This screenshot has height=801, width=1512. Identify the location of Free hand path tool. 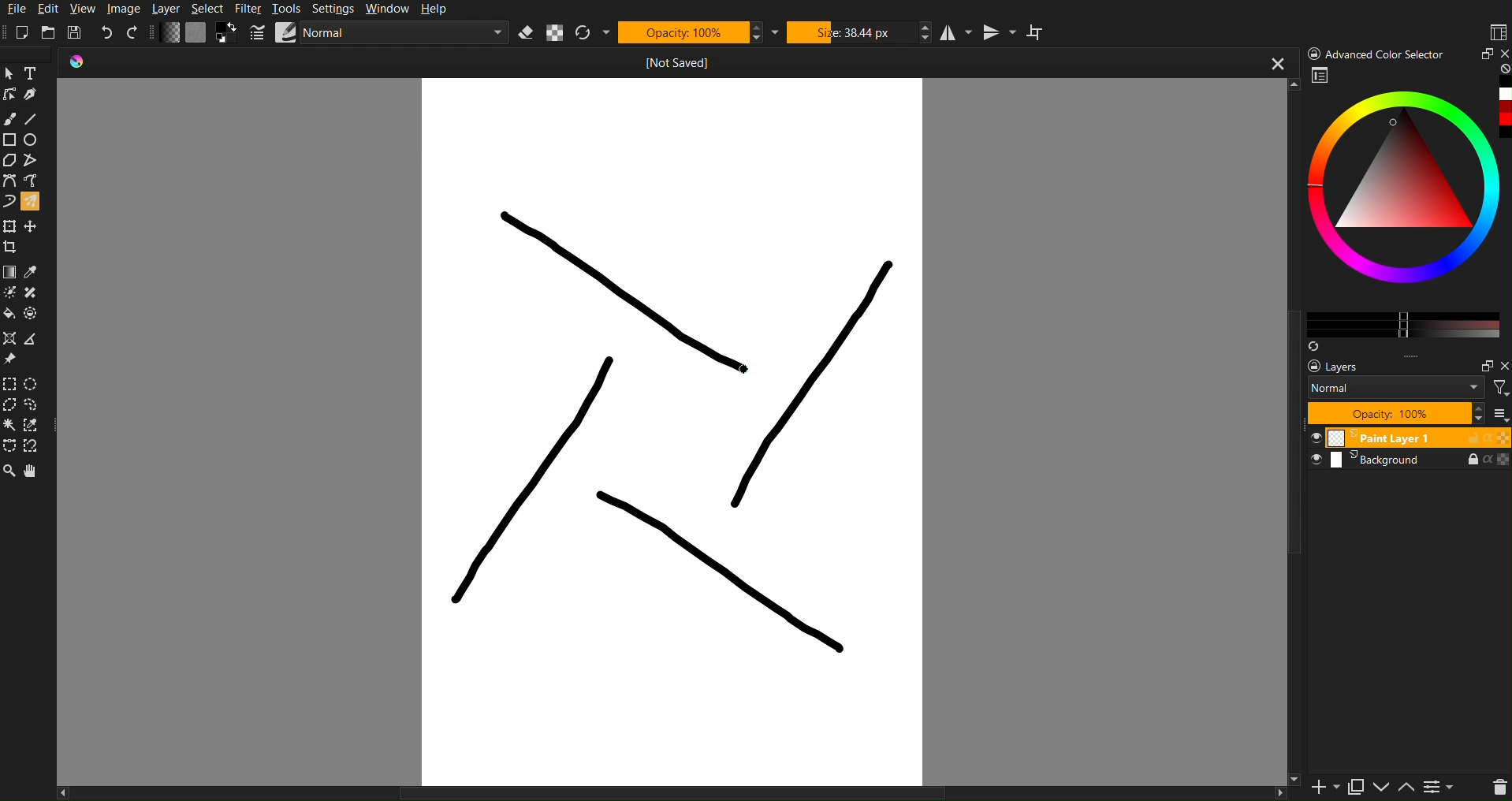
(31, 180).